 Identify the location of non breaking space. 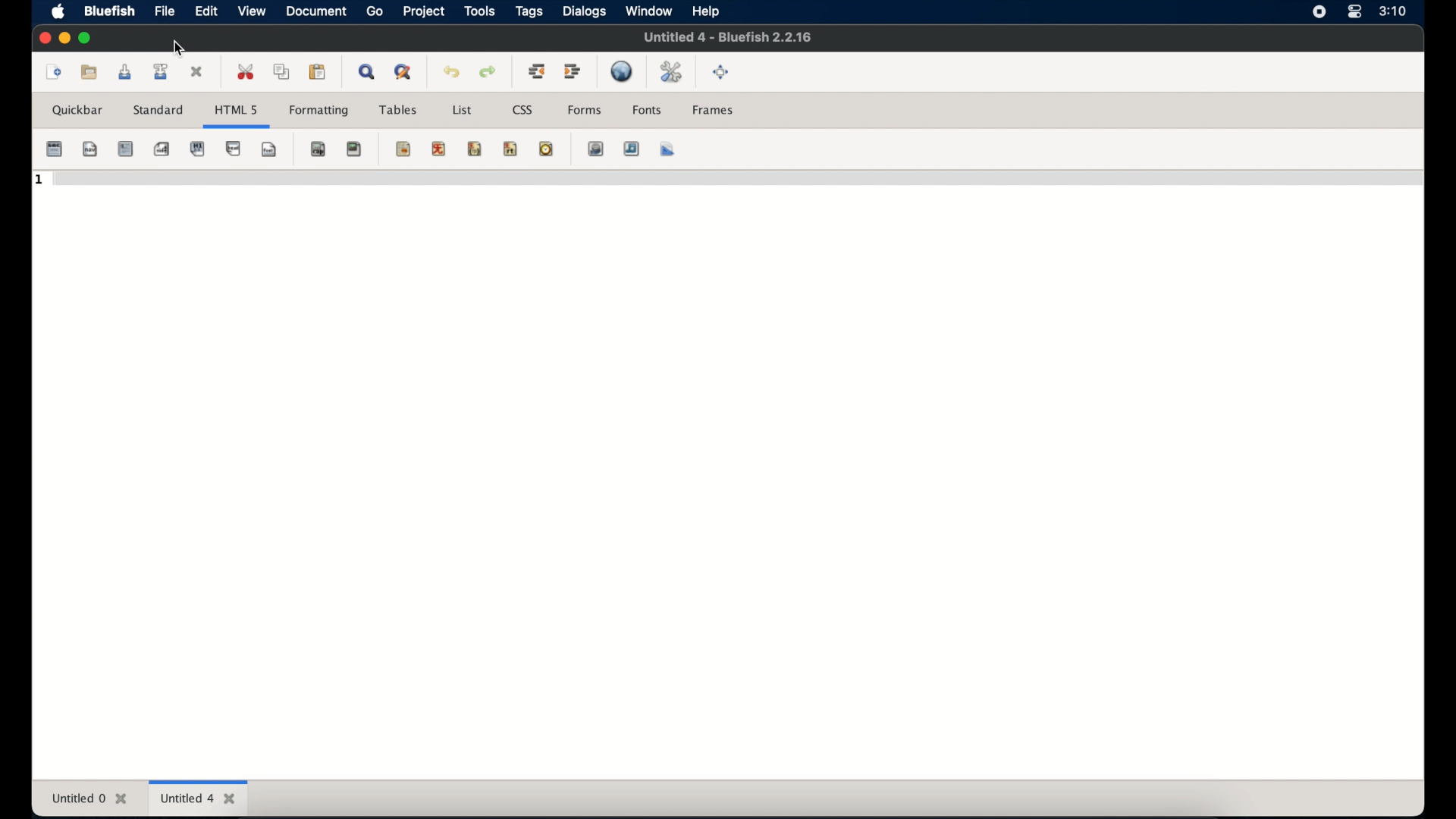
(318, 149).